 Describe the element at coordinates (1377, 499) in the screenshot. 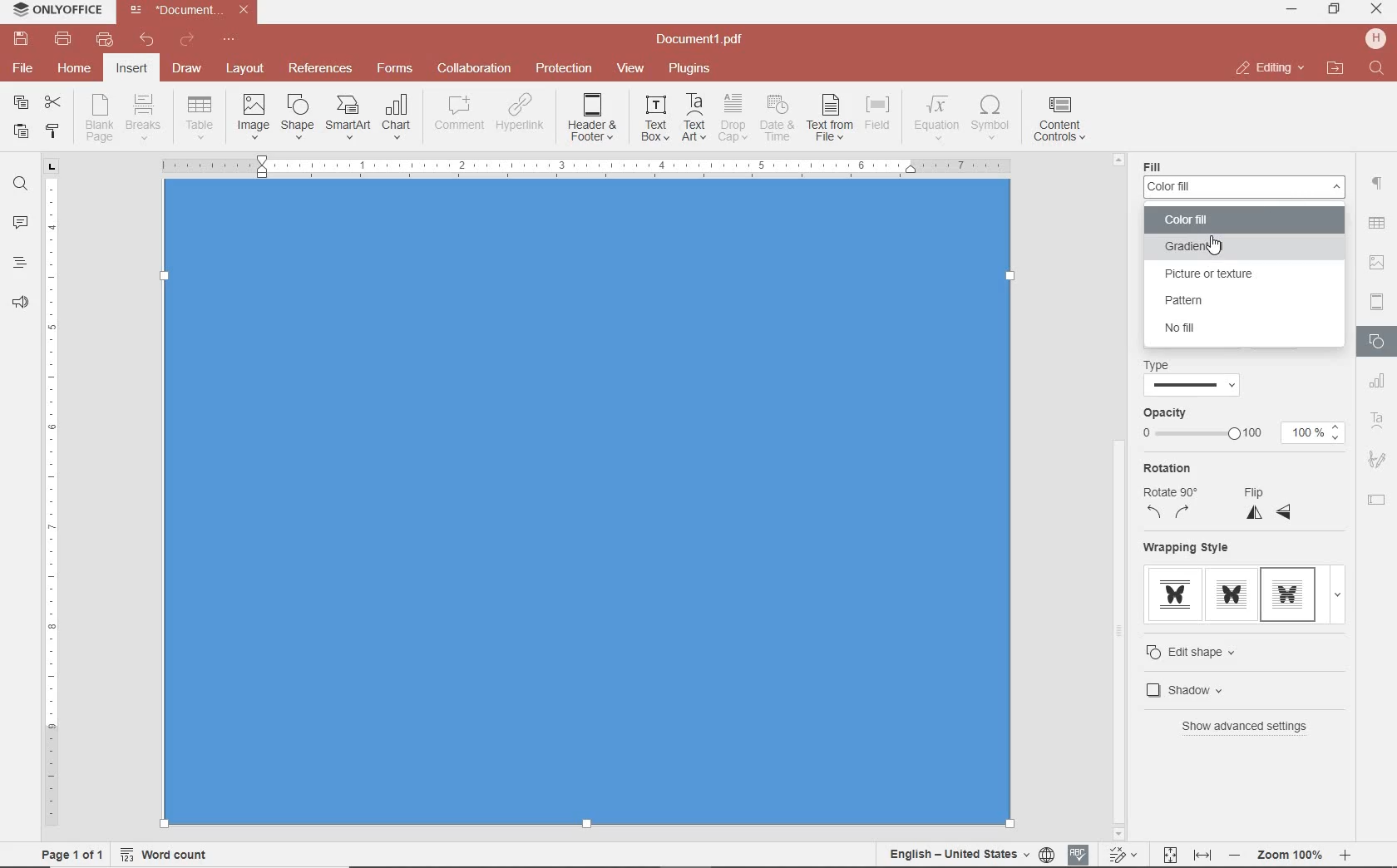

I see `TEXT FIELD` at that location.